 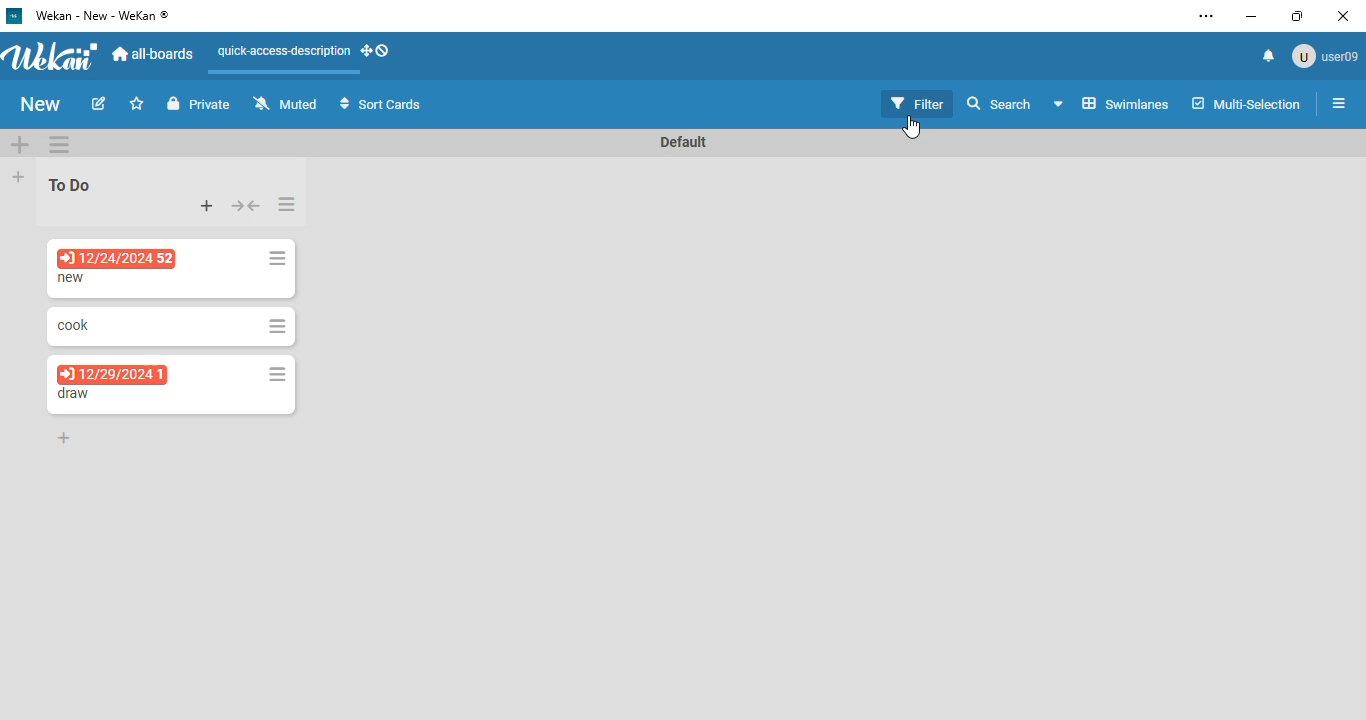 What do you see at coordinates (283, 51) in the screenshot?
I see `quick-access-description` at bounding box center [283, 51].